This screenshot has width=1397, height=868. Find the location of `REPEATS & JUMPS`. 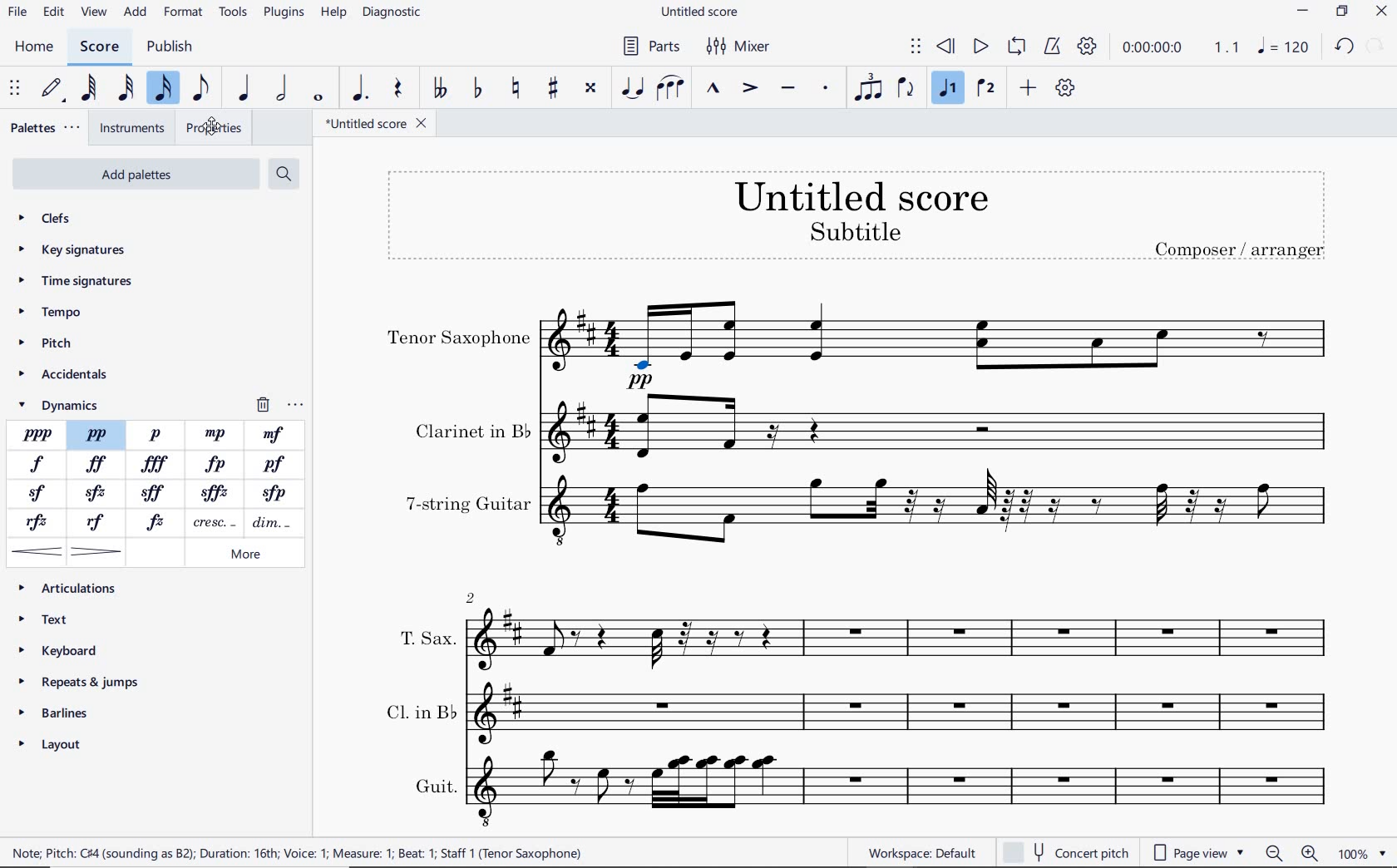

REPEATS & JUMPS is located at coordinates (83, 683).